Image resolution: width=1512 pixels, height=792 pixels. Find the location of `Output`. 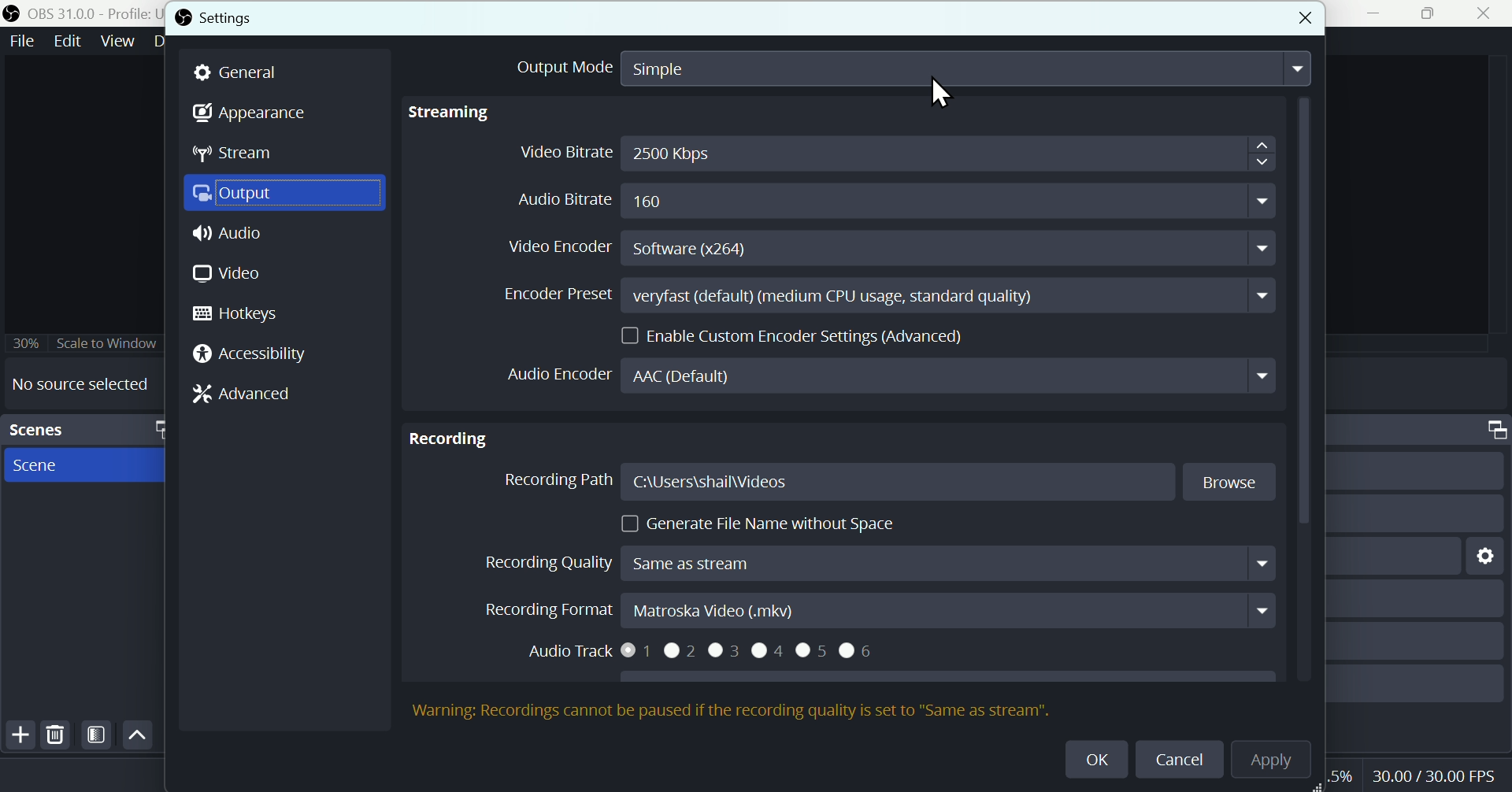

Output is located at coordinates (286, 194).